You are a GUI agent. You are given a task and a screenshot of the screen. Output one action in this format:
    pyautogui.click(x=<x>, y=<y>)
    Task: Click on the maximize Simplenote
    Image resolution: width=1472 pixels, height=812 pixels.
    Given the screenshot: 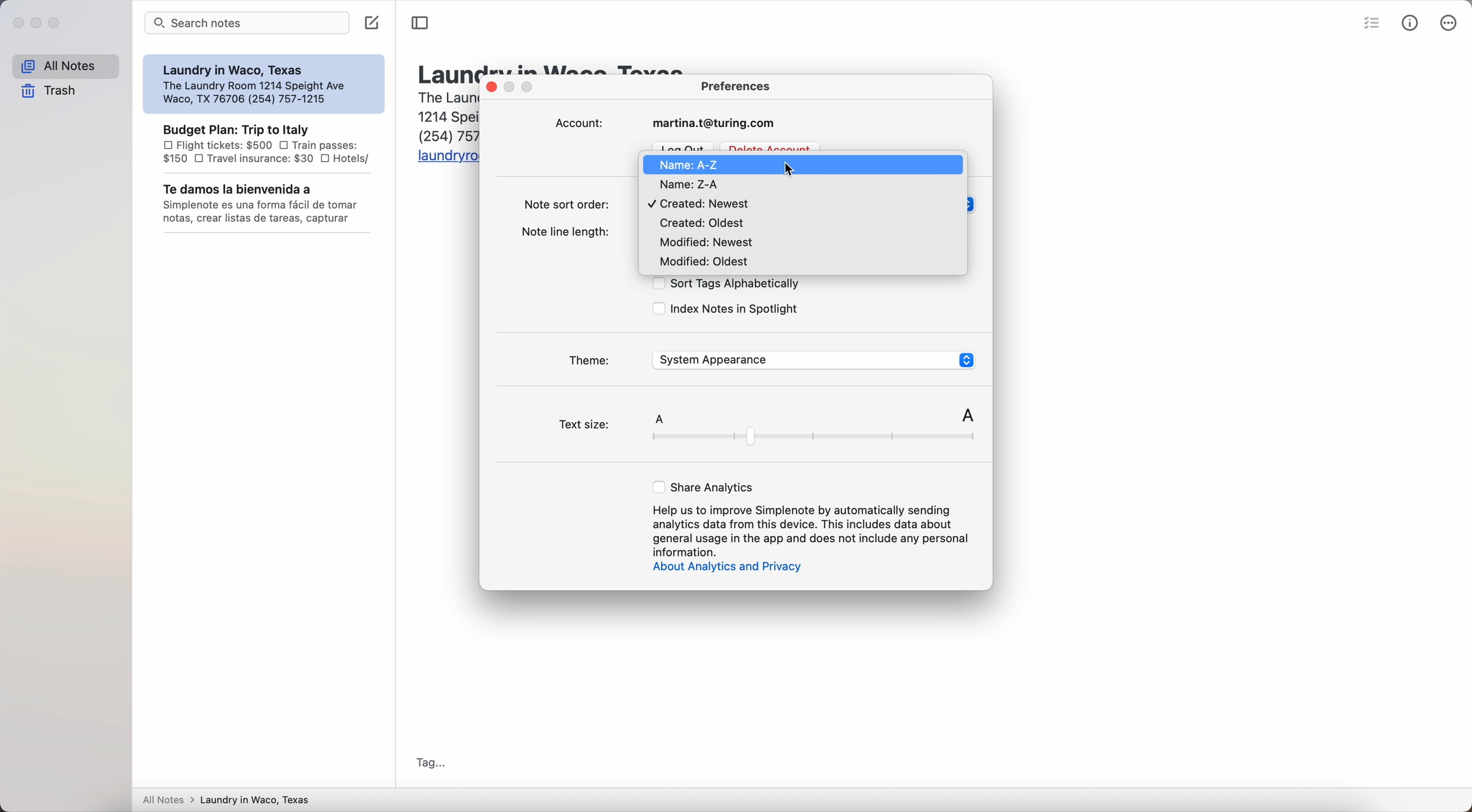 What is the action you would take?
    pyautogui.click(x=55, y=23)
    